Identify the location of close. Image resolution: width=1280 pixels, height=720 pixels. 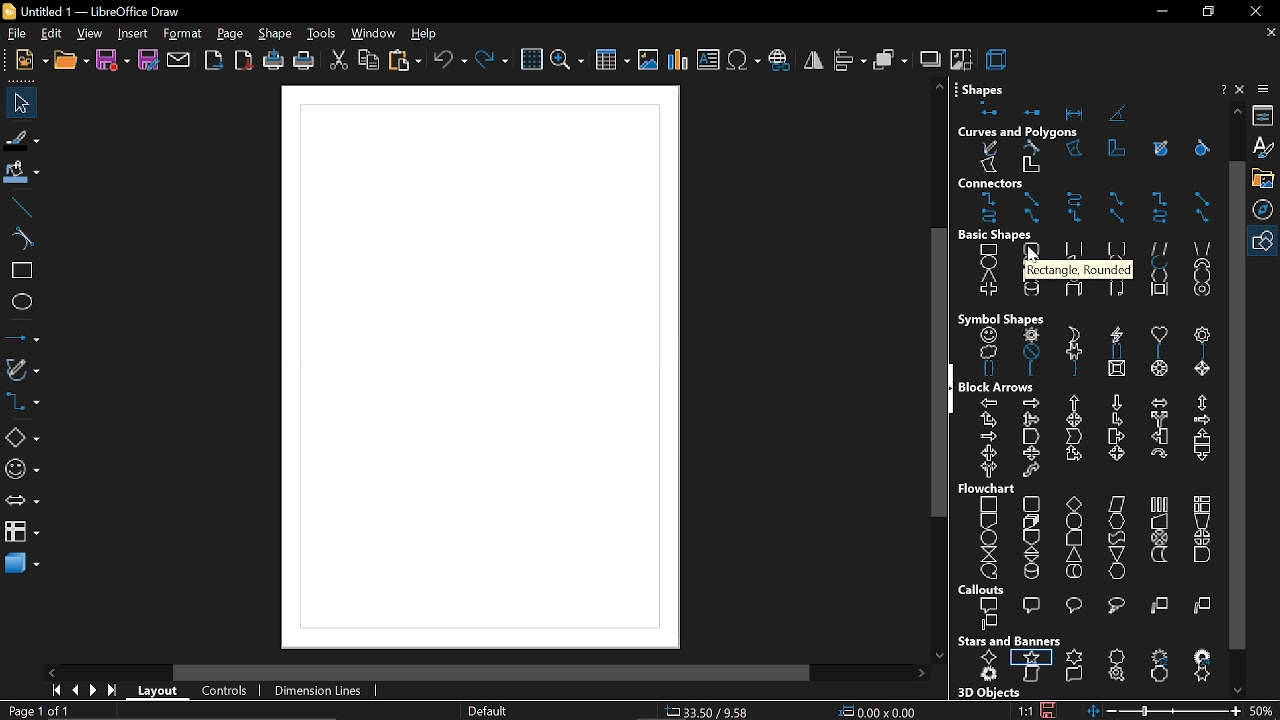
(1254, 11).